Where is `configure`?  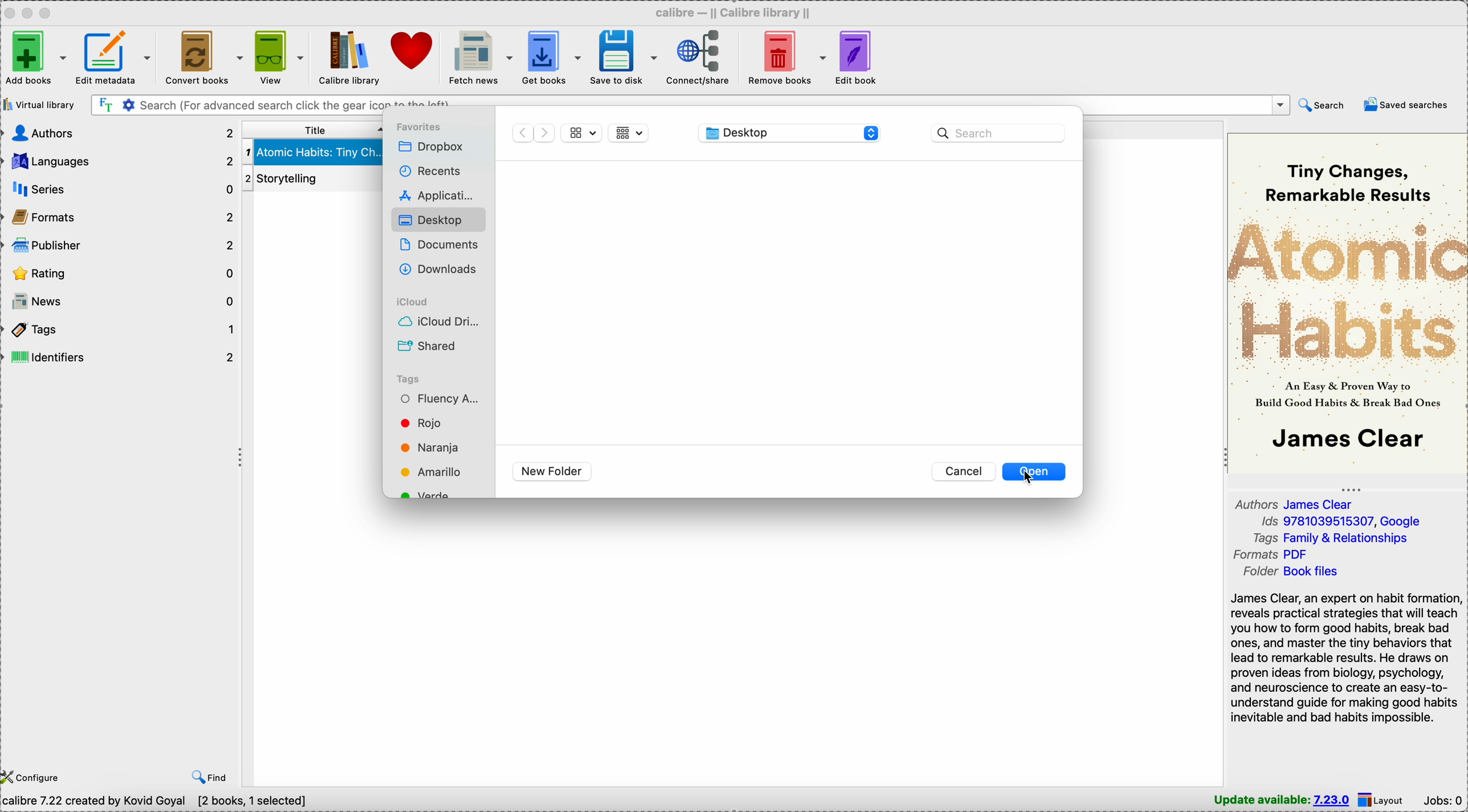 configure is located at coordinates (34, 776).